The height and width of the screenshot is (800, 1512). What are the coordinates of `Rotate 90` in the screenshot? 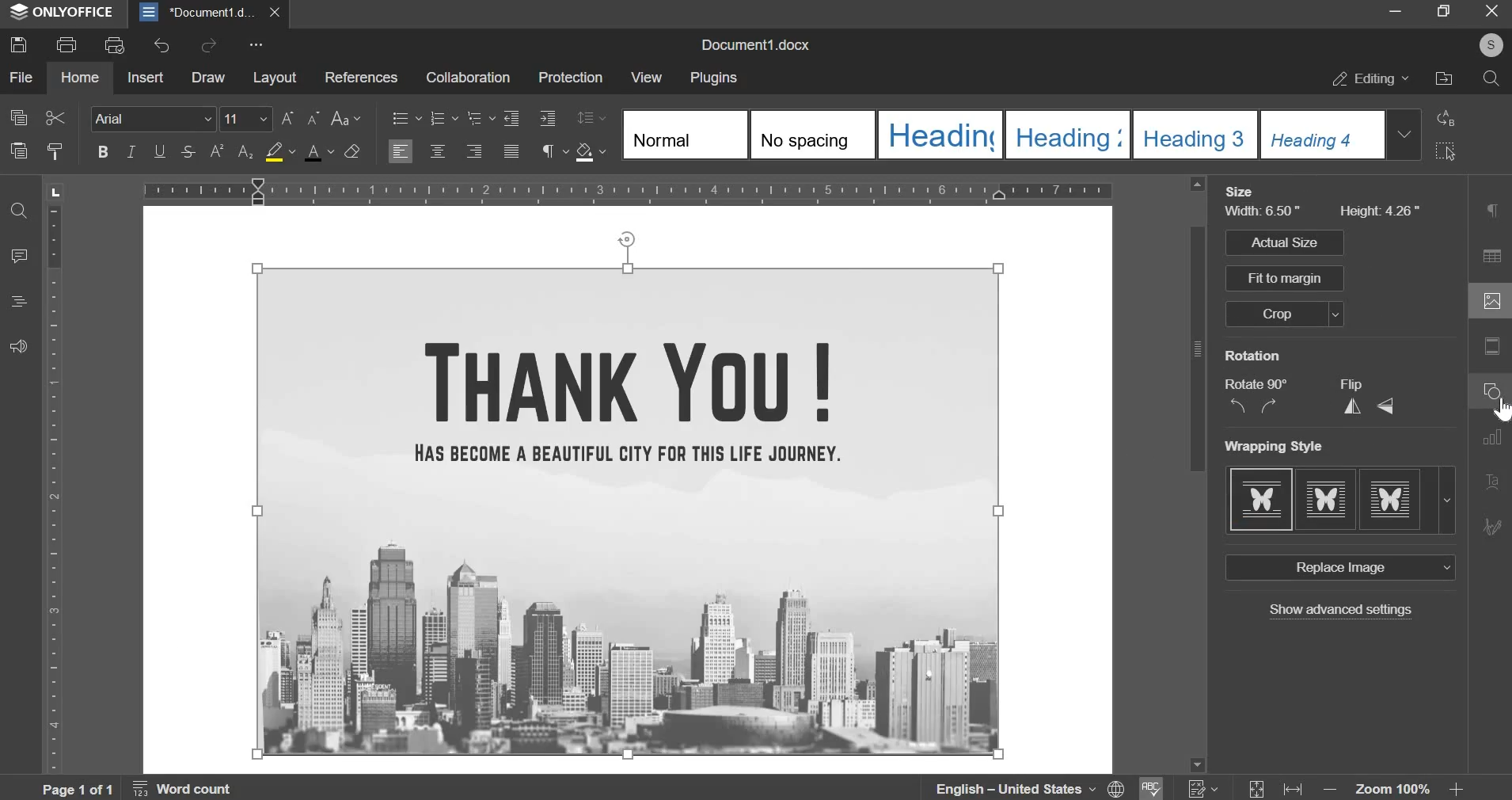 It's located at (1260, 395).